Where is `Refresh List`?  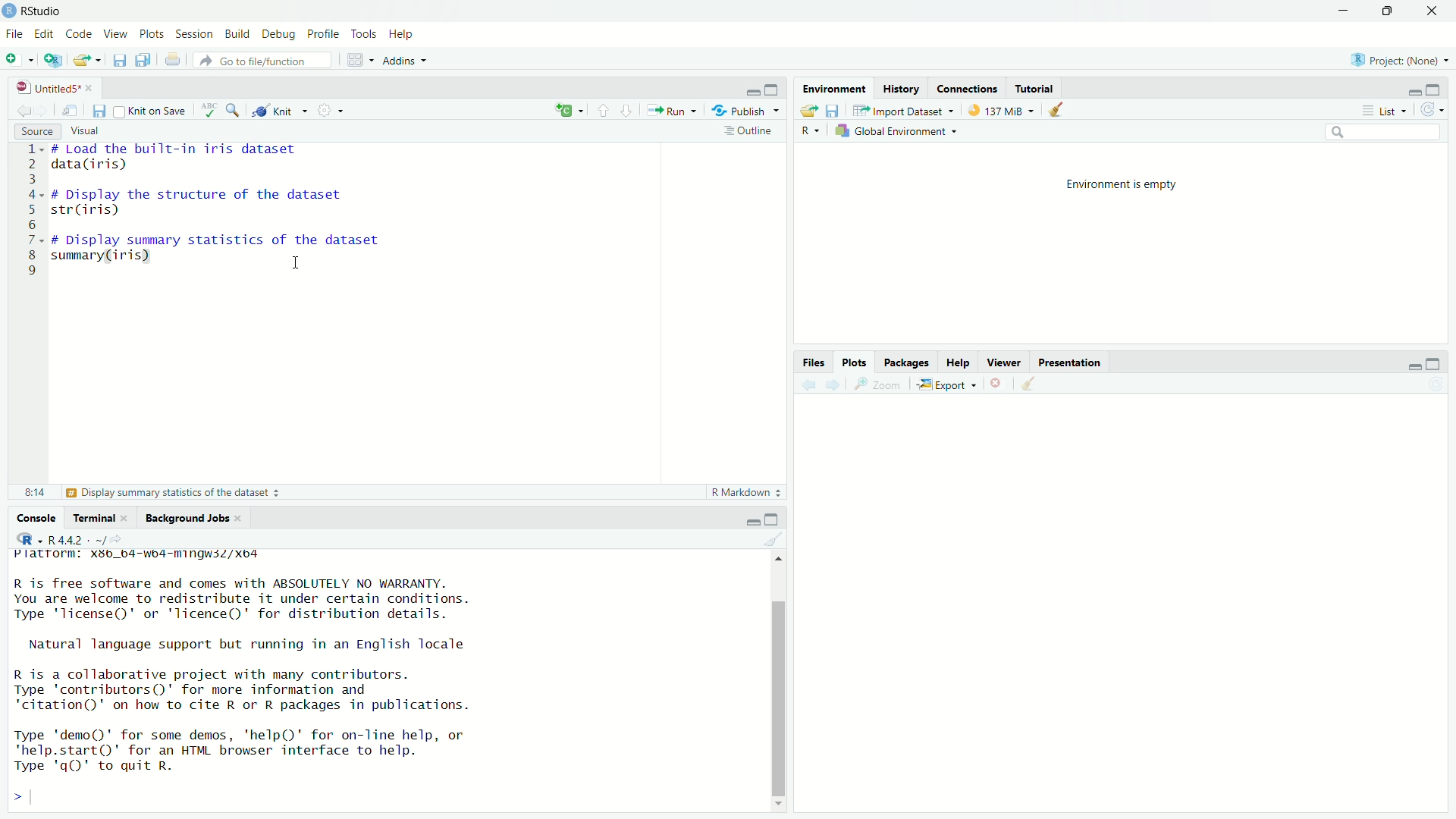 Refresh List is located at coordinates (1436, 384).